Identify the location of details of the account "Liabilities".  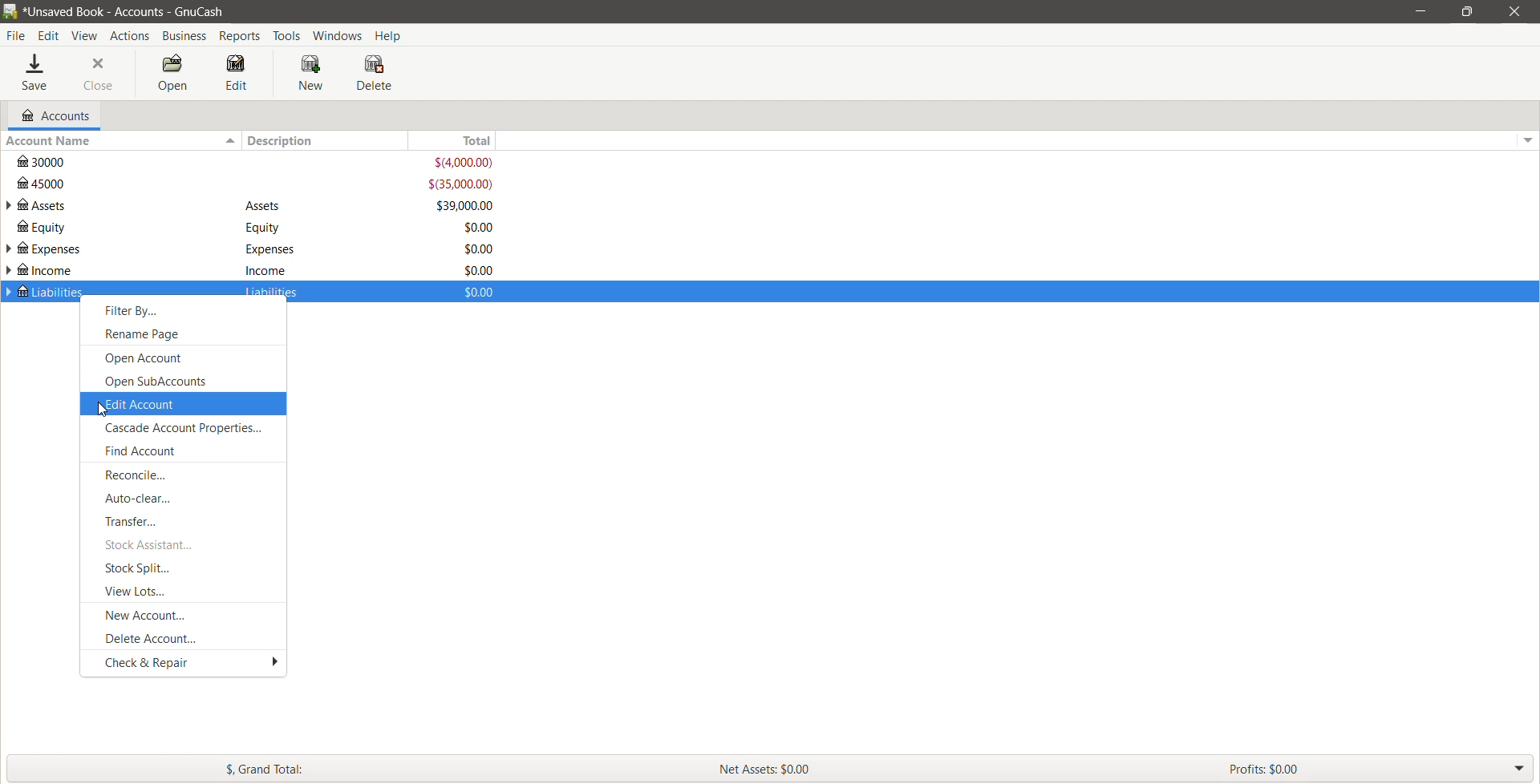
(268, 293).